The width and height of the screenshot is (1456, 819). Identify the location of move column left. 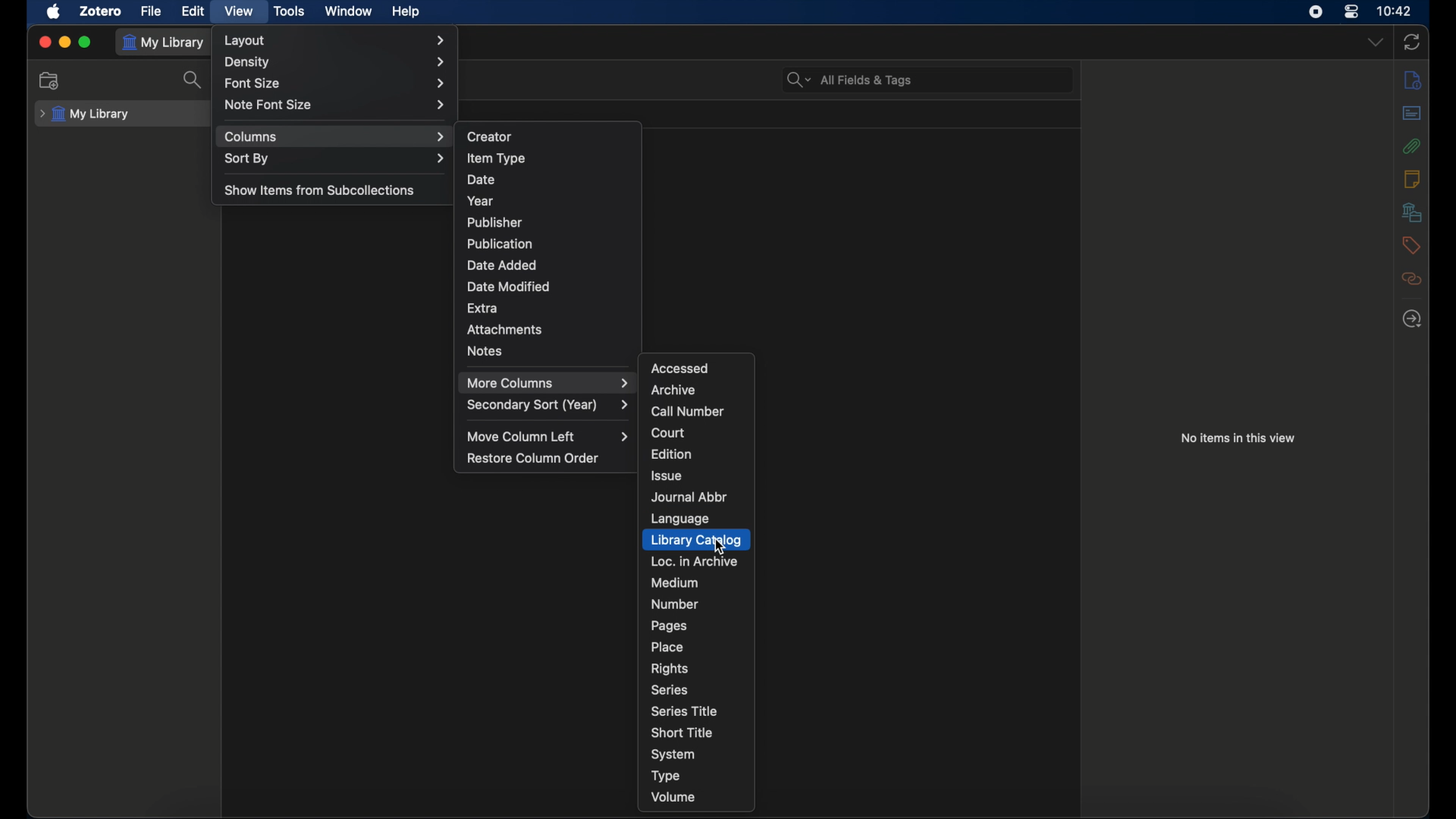
(548, 436).